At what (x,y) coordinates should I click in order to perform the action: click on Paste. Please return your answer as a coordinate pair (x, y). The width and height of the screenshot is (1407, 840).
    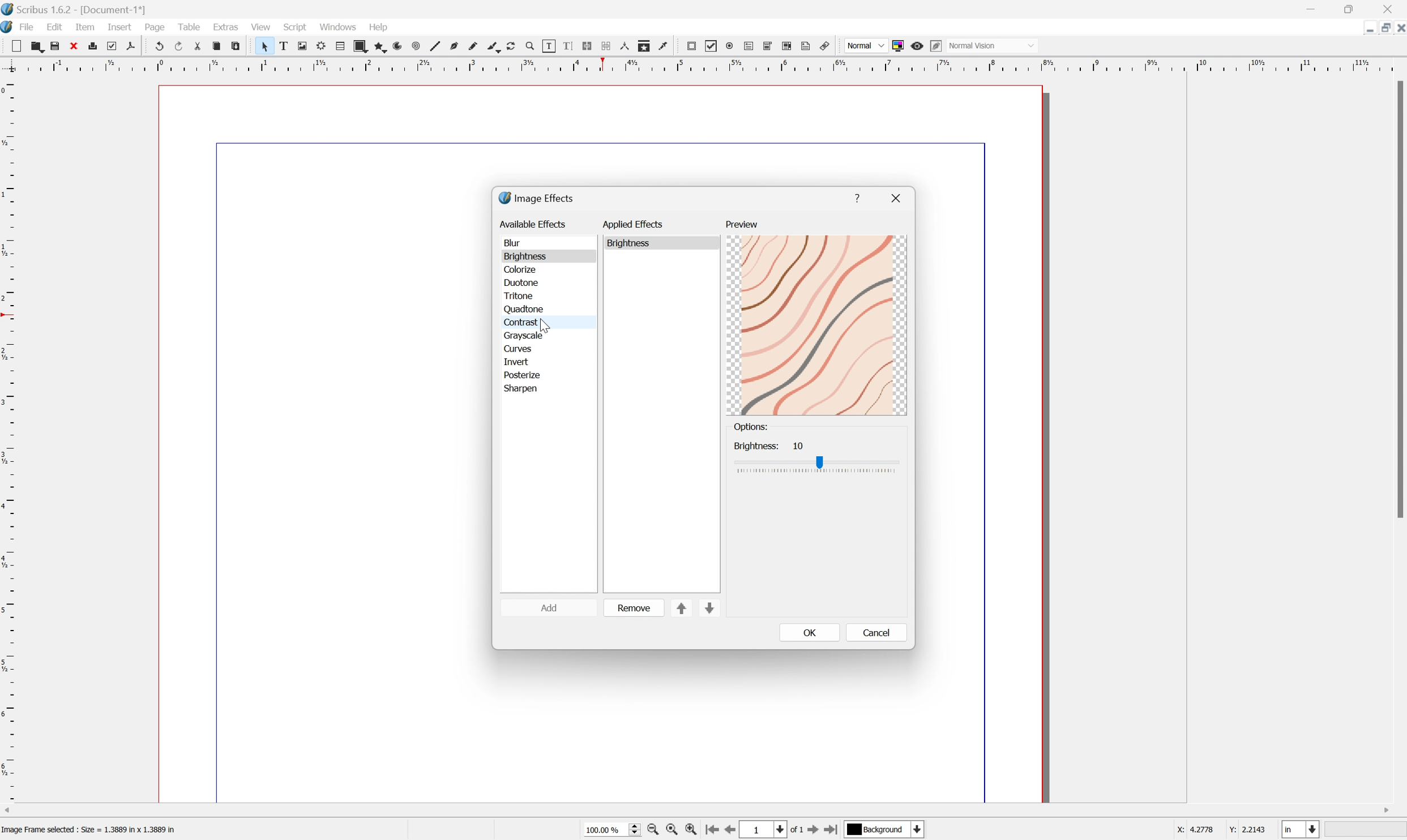
    Looking at the image, I should click on (237, 44).